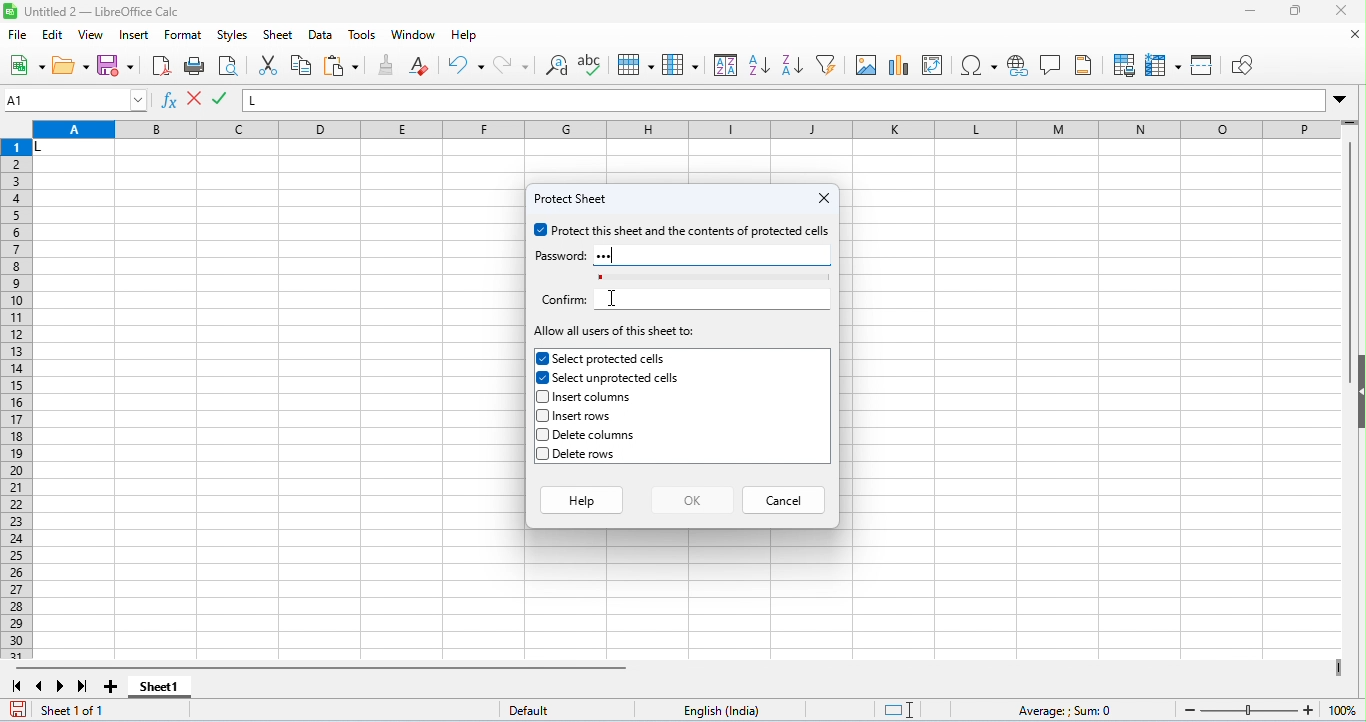 The image size is (1366, 722). Describe the element at coordinates (979, 65) in the screenshot. I see `insert special characters` at that location.